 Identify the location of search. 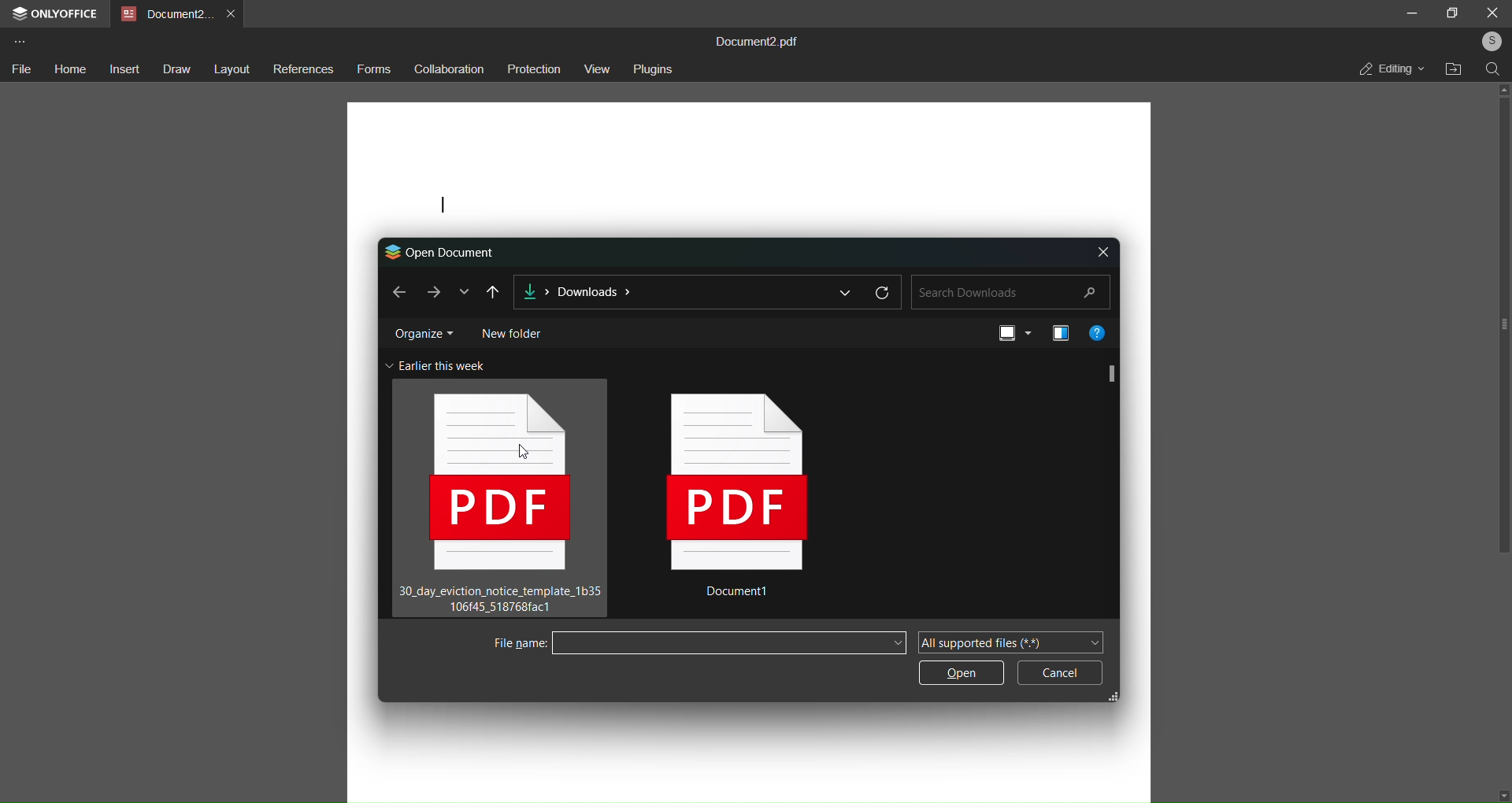
(1493, 68).